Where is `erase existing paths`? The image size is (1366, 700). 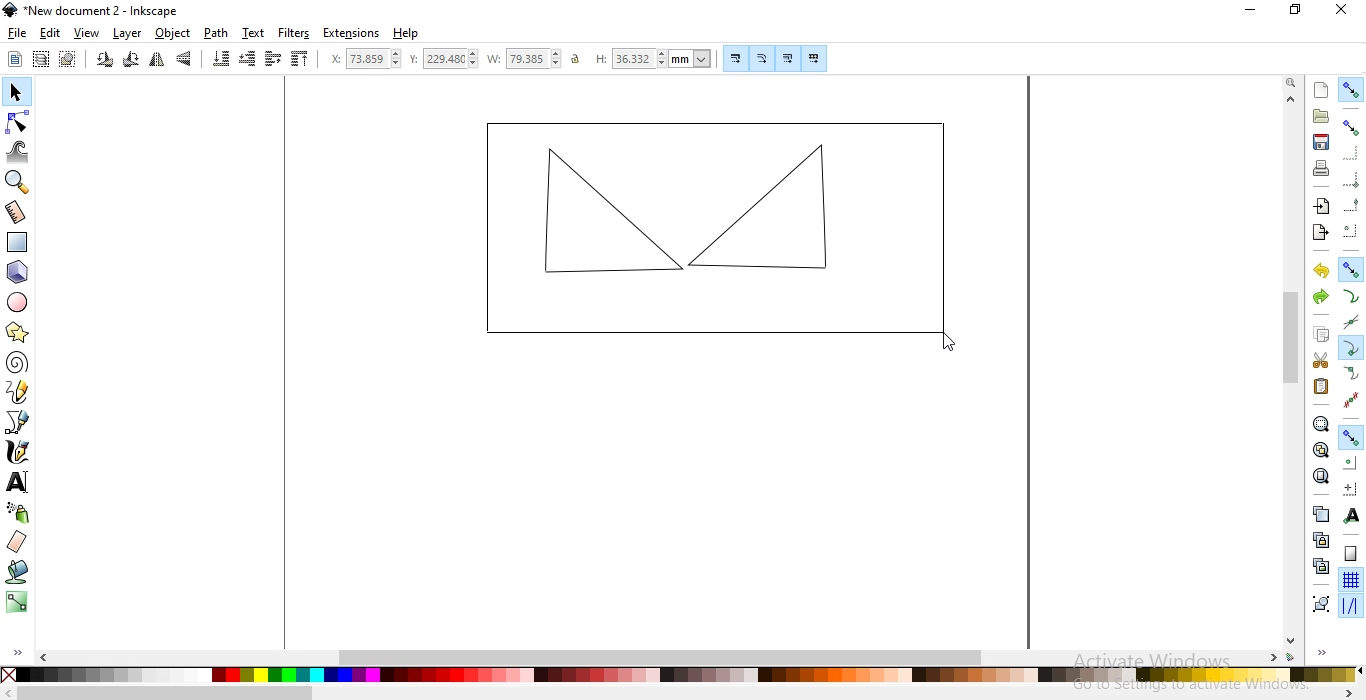 erase existing paths is located at coordinates (18, 542).